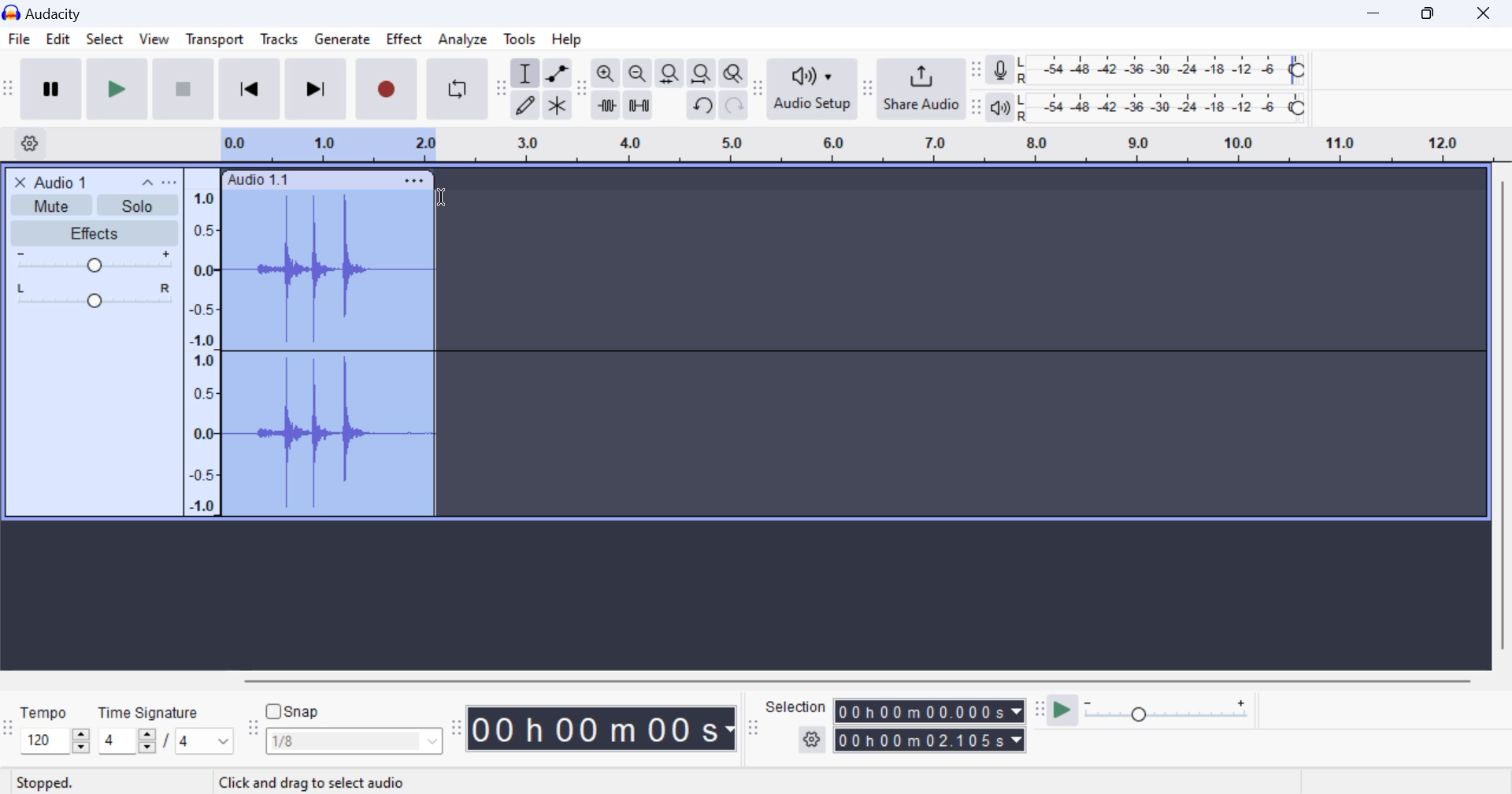 The height and width of the screenshot is (794, 1512). I want to click on Snap options, so click(356, 744).